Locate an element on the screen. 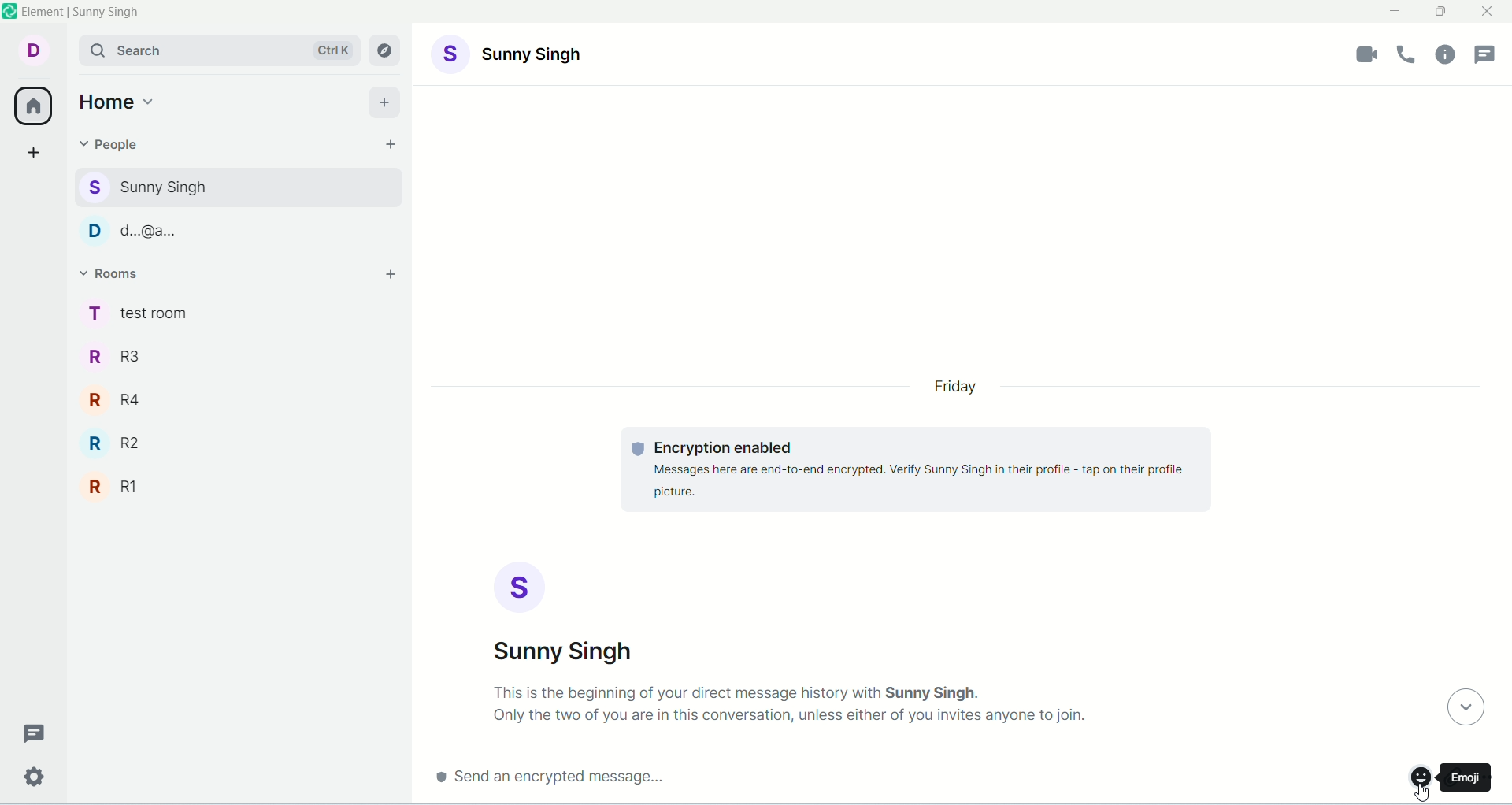  account is located at coordinates (568, 613).